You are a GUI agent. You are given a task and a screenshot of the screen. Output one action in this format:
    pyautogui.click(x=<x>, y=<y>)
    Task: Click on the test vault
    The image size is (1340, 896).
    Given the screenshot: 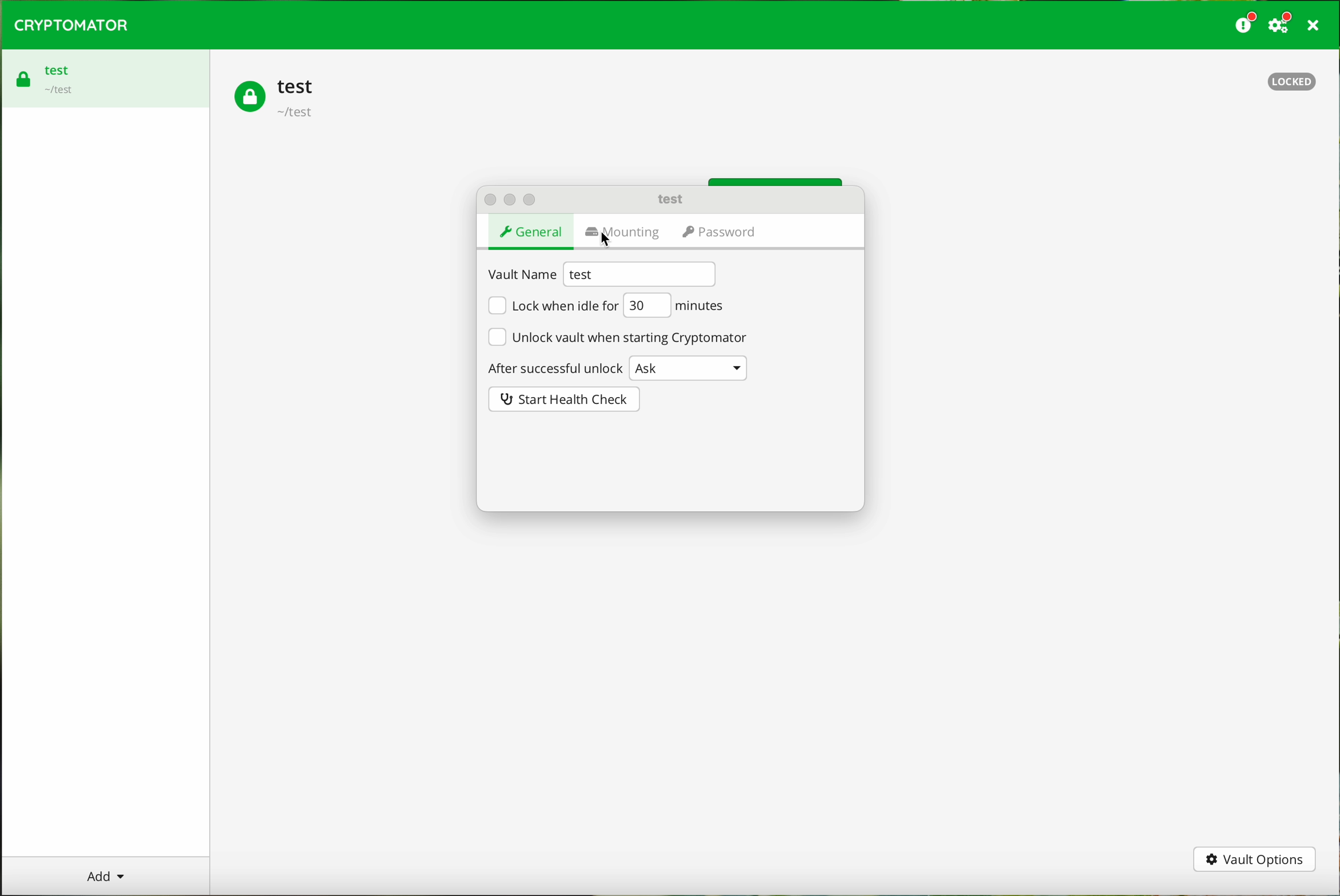 What is the action you would take?
    pyautogui.click(x=275, y=99)
    